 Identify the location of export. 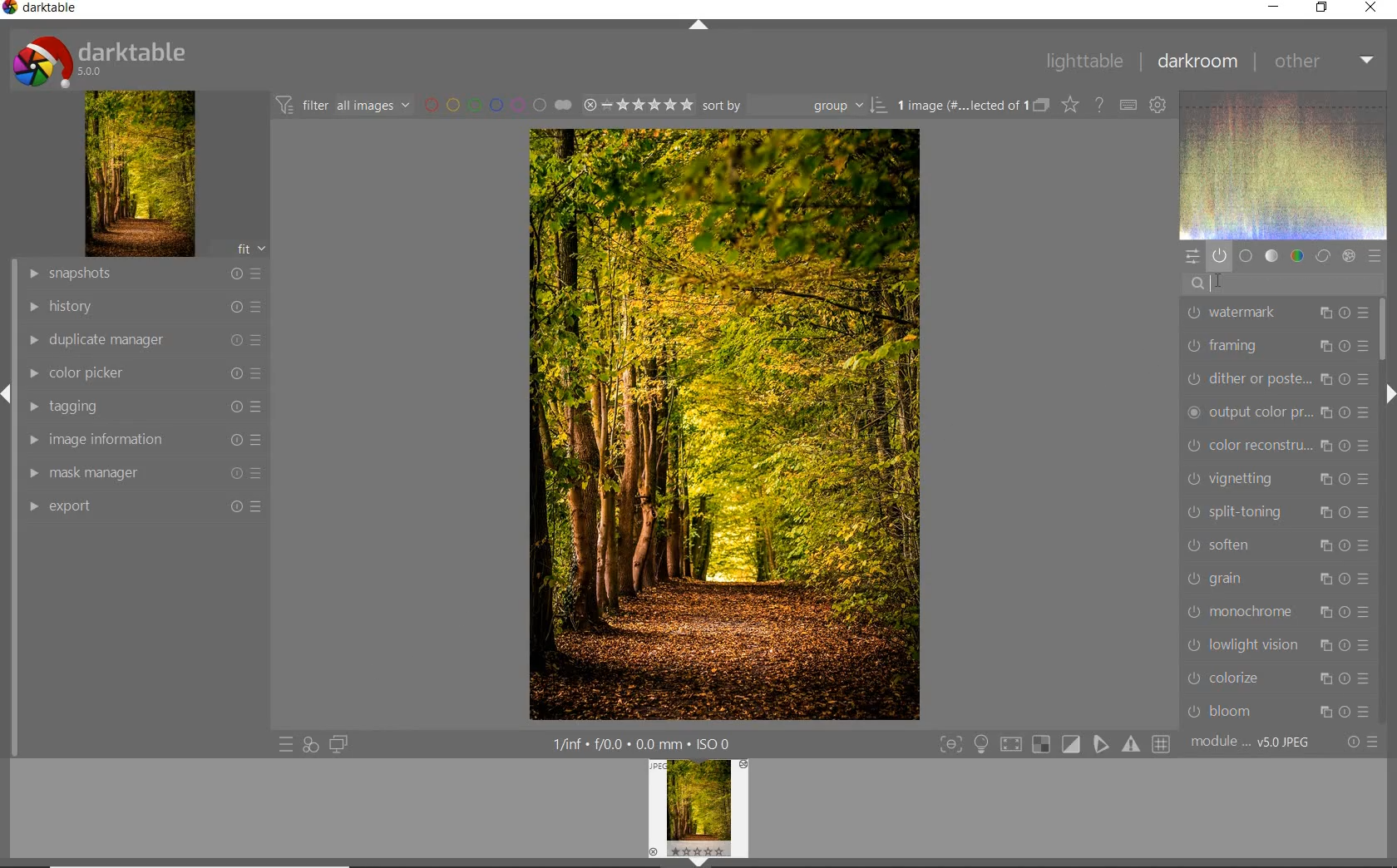
(146, 506).